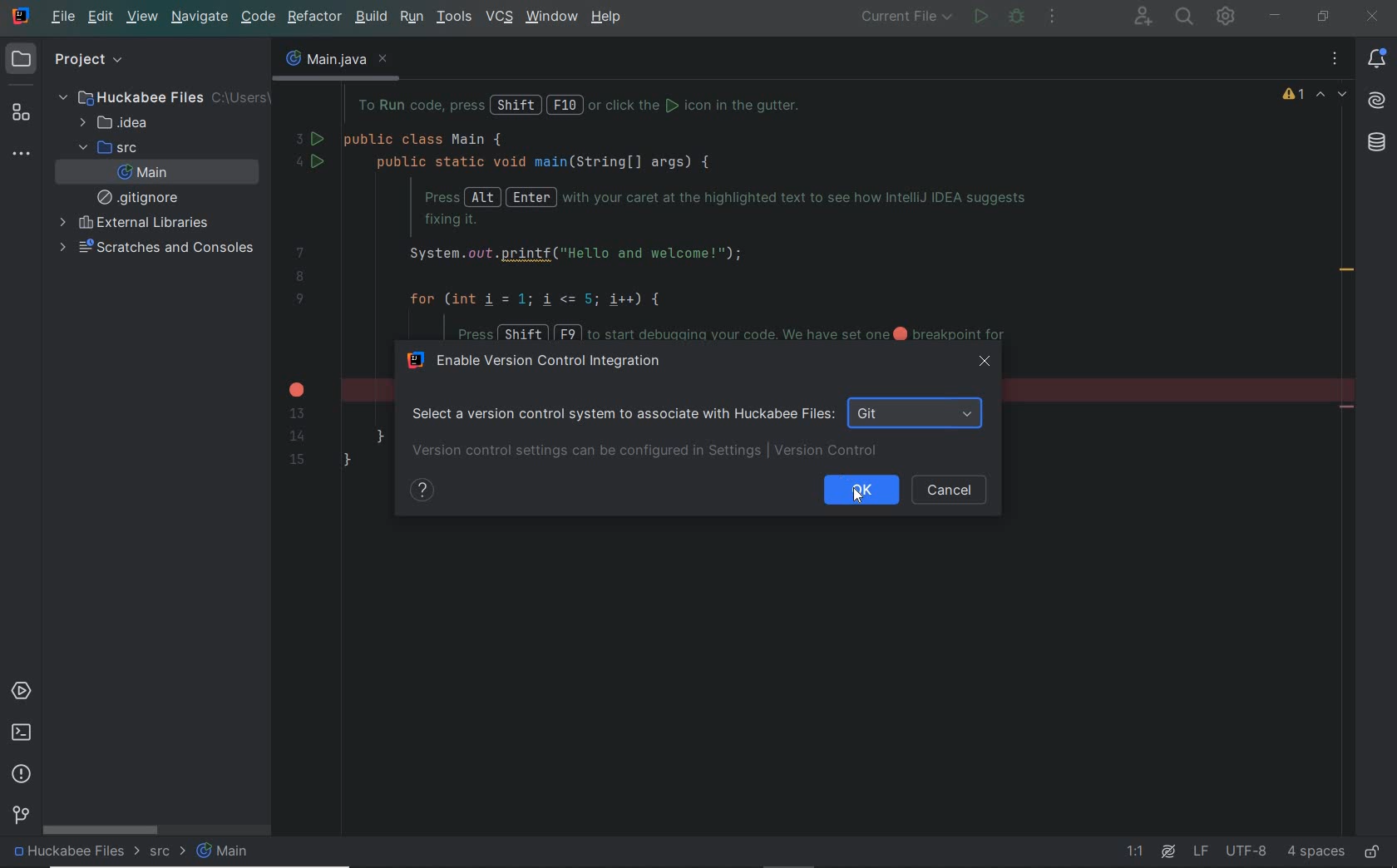  Describe the element at coordinates (607, 18) in the screenshot. I see `help` at that location.